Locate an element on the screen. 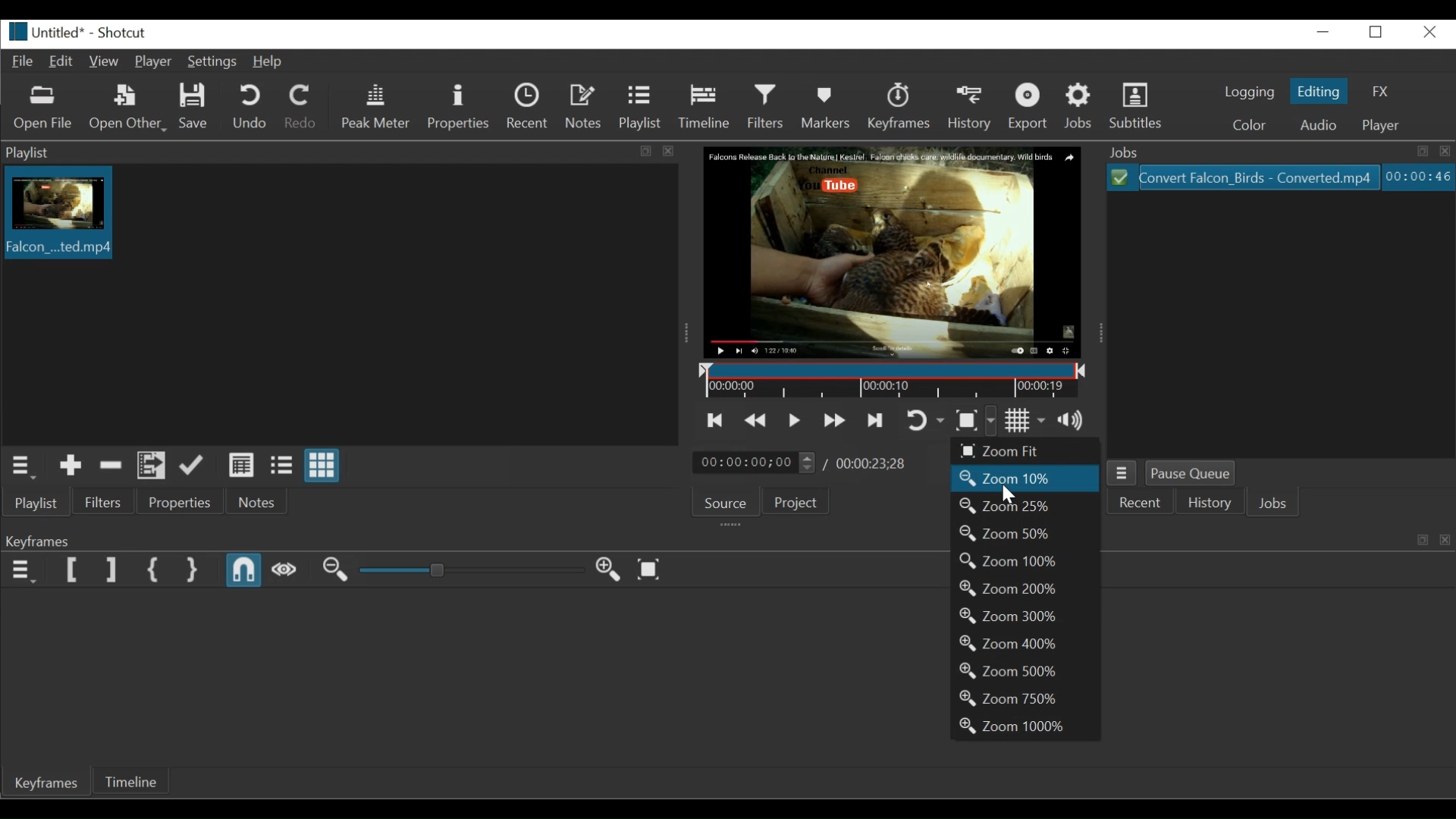  Settings is located at coordinates (213, 62).